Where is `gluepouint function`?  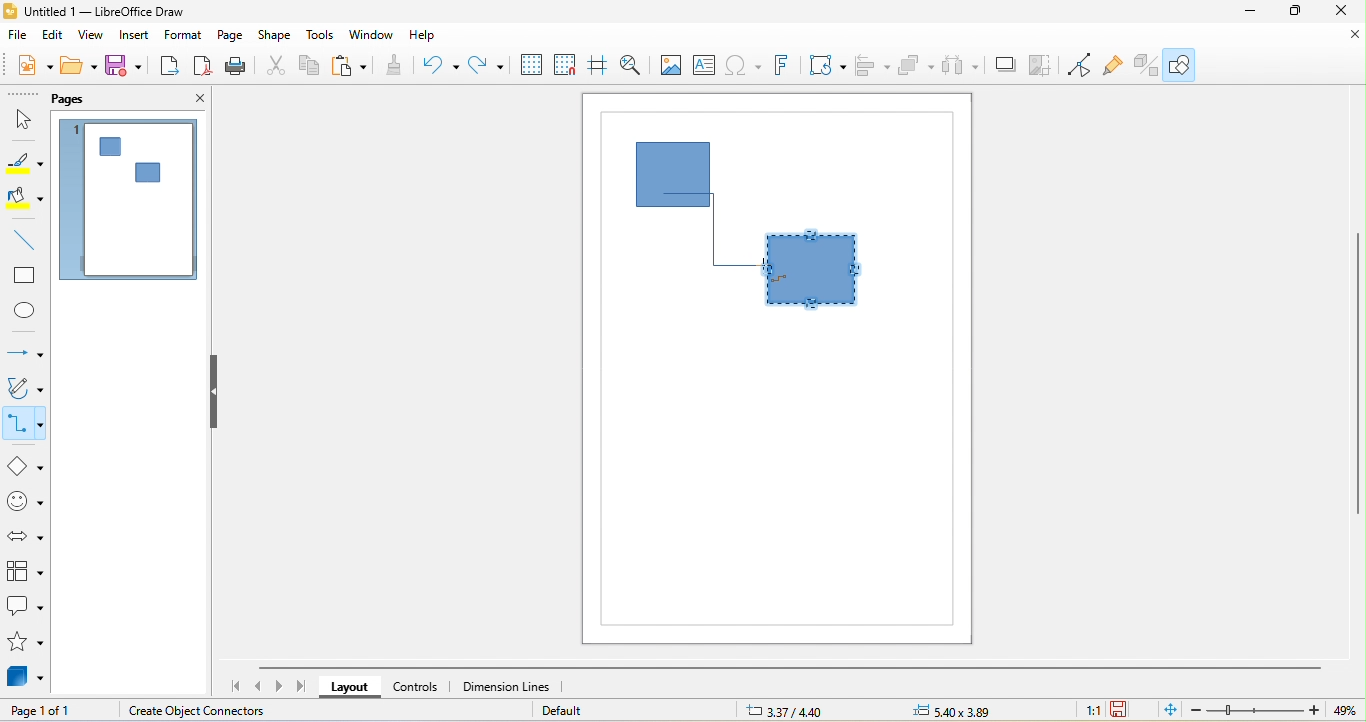
gluepouint function is located at coordinates (1117, 64).